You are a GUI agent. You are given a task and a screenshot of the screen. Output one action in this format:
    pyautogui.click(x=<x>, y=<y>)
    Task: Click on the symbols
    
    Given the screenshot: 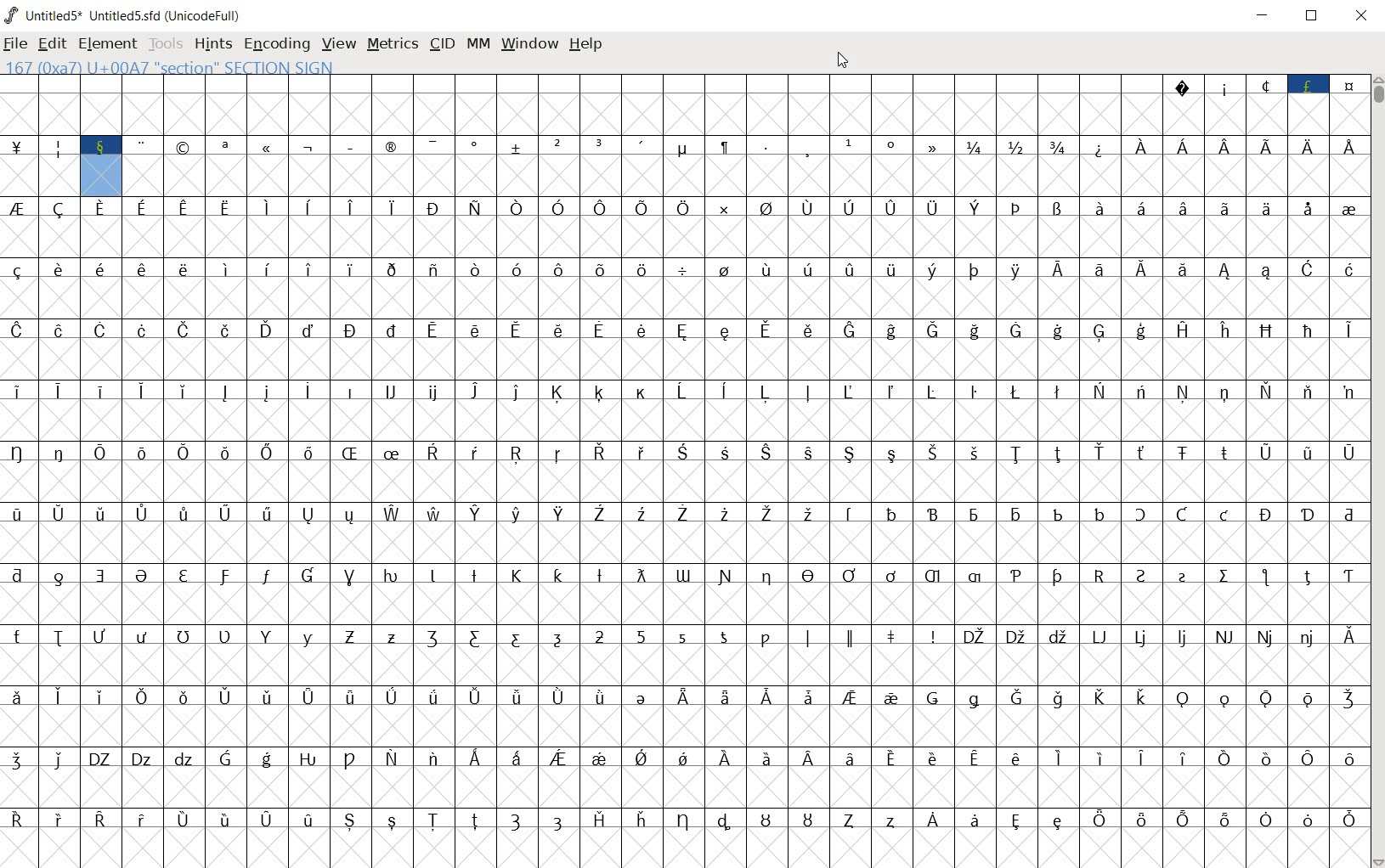 What is the action you would take?
    pyautogui.click(x=620, y=779)
    